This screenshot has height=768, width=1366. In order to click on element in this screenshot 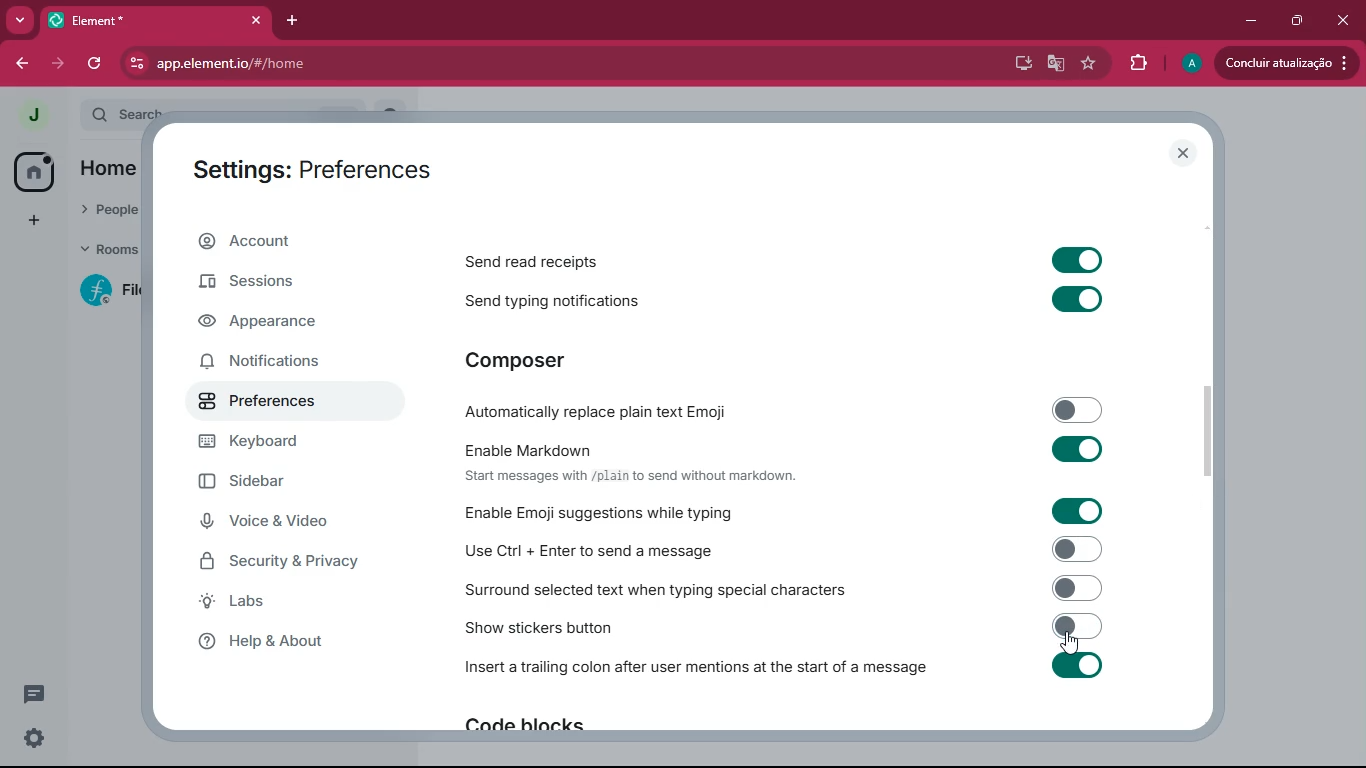, I will do `click(157, 20)`.